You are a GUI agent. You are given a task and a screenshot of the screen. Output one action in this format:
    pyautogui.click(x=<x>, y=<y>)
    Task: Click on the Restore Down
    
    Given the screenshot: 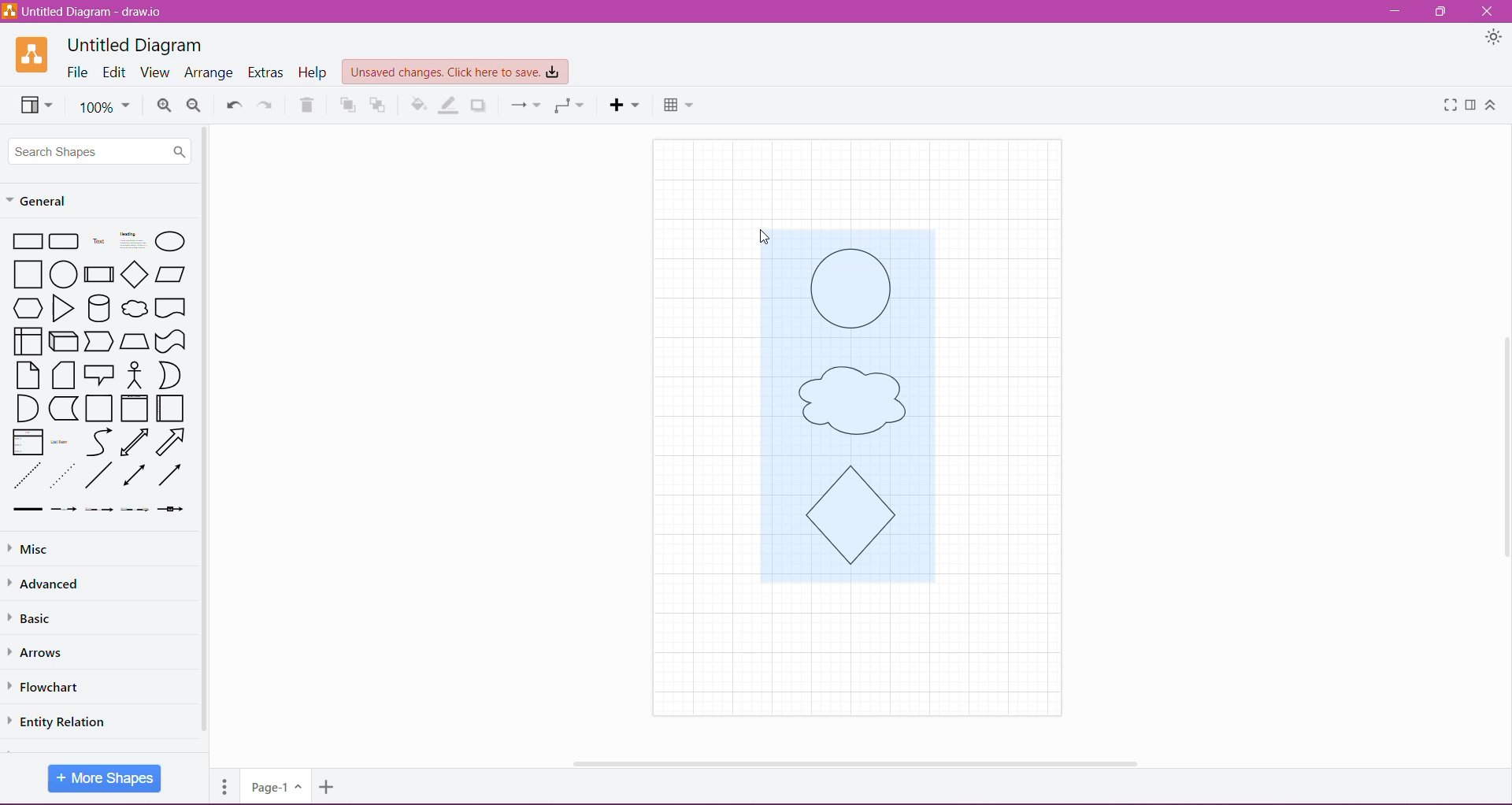 What is the action you would take?
    pyautogui.click(x=1443, y=11)
    